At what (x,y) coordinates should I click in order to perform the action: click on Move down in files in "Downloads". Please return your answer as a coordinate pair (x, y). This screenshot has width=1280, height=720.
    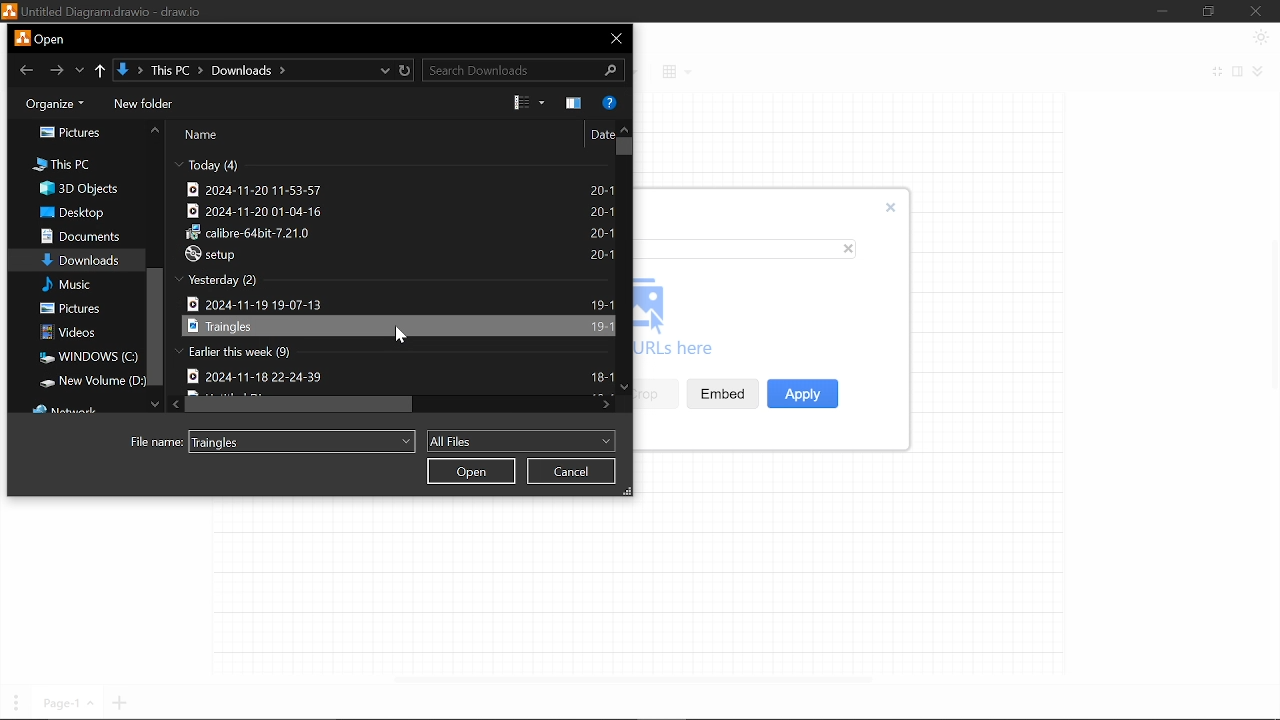
    Looking at the image, I should click on (625, 388).